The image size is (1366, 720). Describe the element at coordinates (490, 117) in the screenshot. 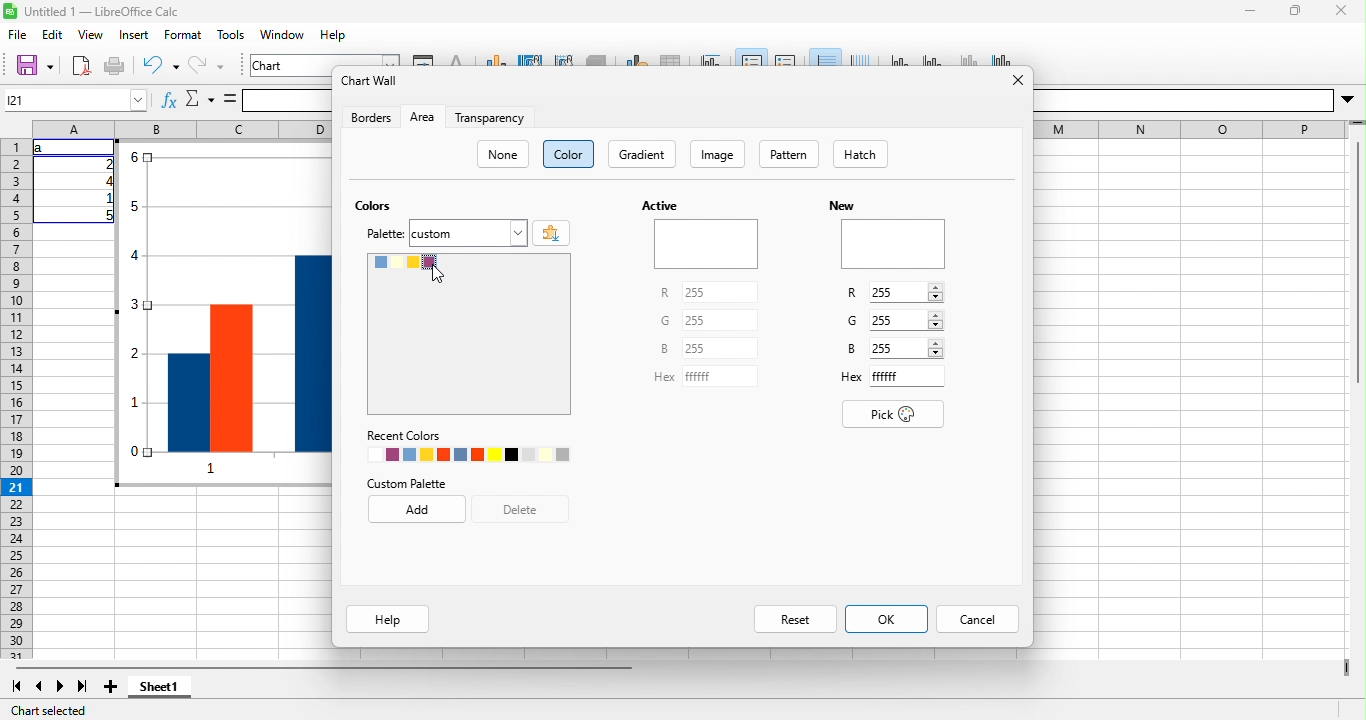

I see `transparency` at that location.